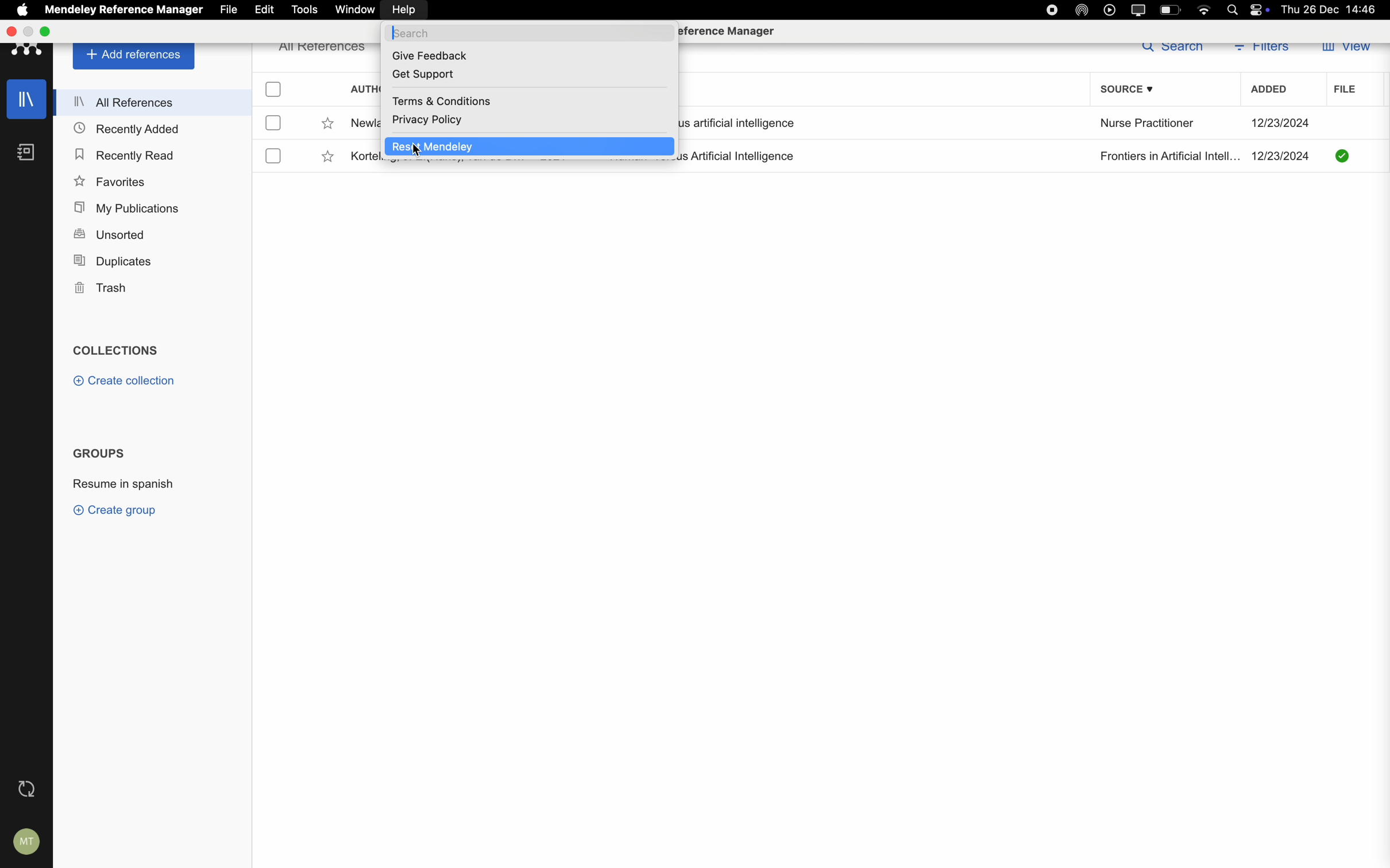  Describe the element at coordinates (1082, 9) in the screenshot. I see `airdrop` at that location.